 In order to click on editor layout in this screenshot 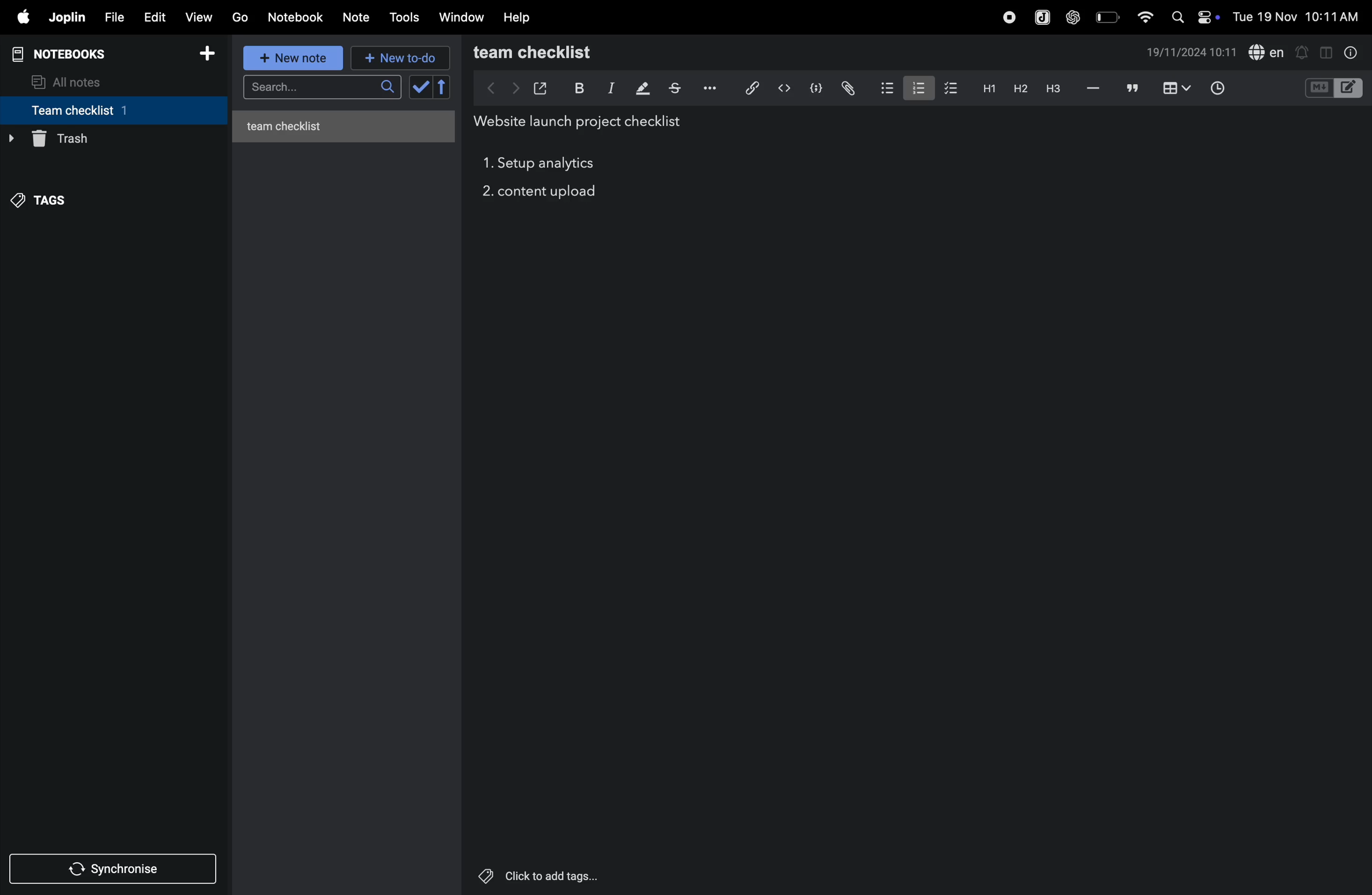, I will do `click(1350, 87)`.